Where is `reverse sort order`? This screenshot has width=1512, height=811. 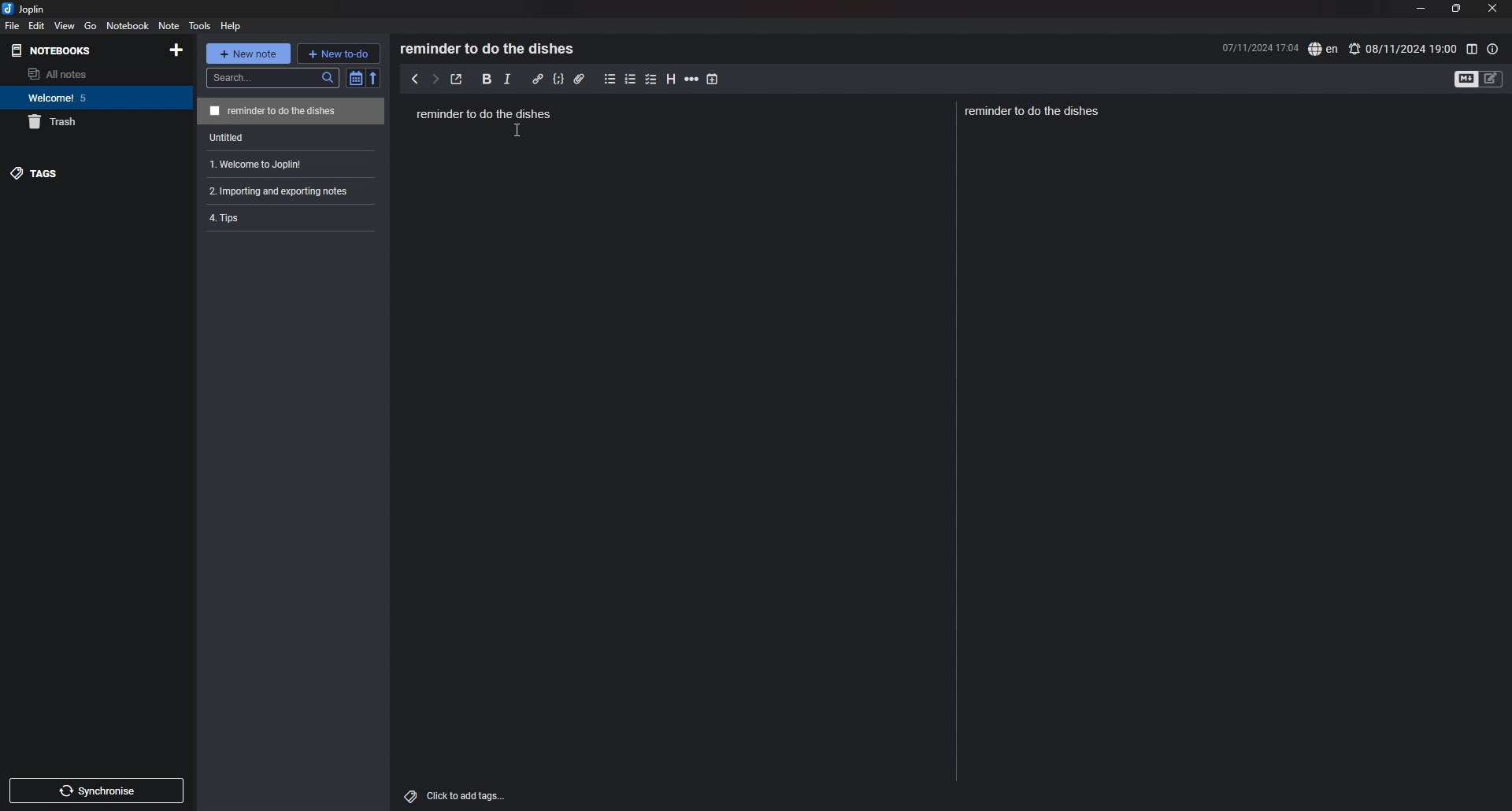
reverse sort order is located at coordinates (374, 78).